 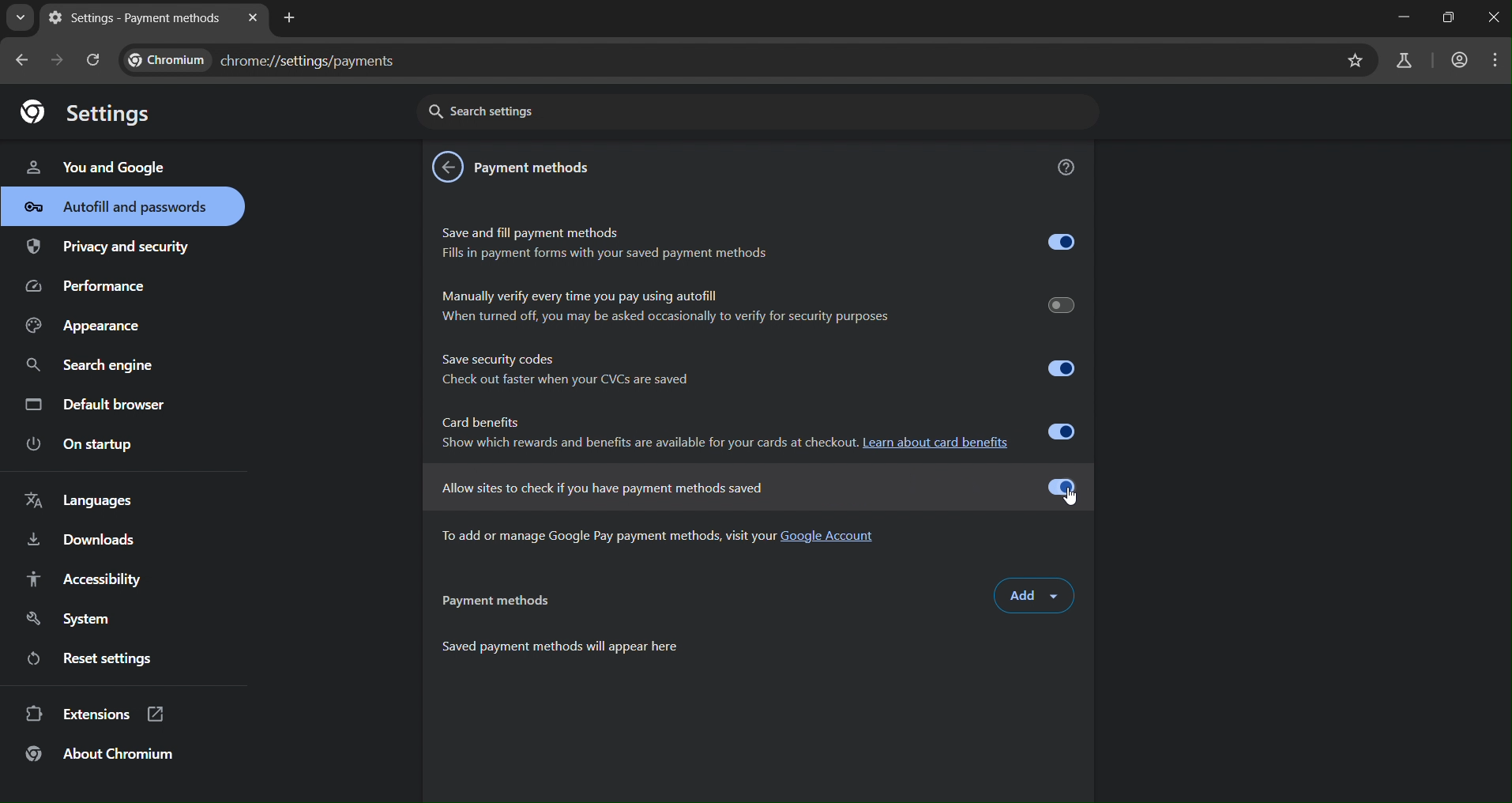 What do you see at coordinates (82, 537) in the screenshot?
I see `downloads` at bounding box center [82, 537].